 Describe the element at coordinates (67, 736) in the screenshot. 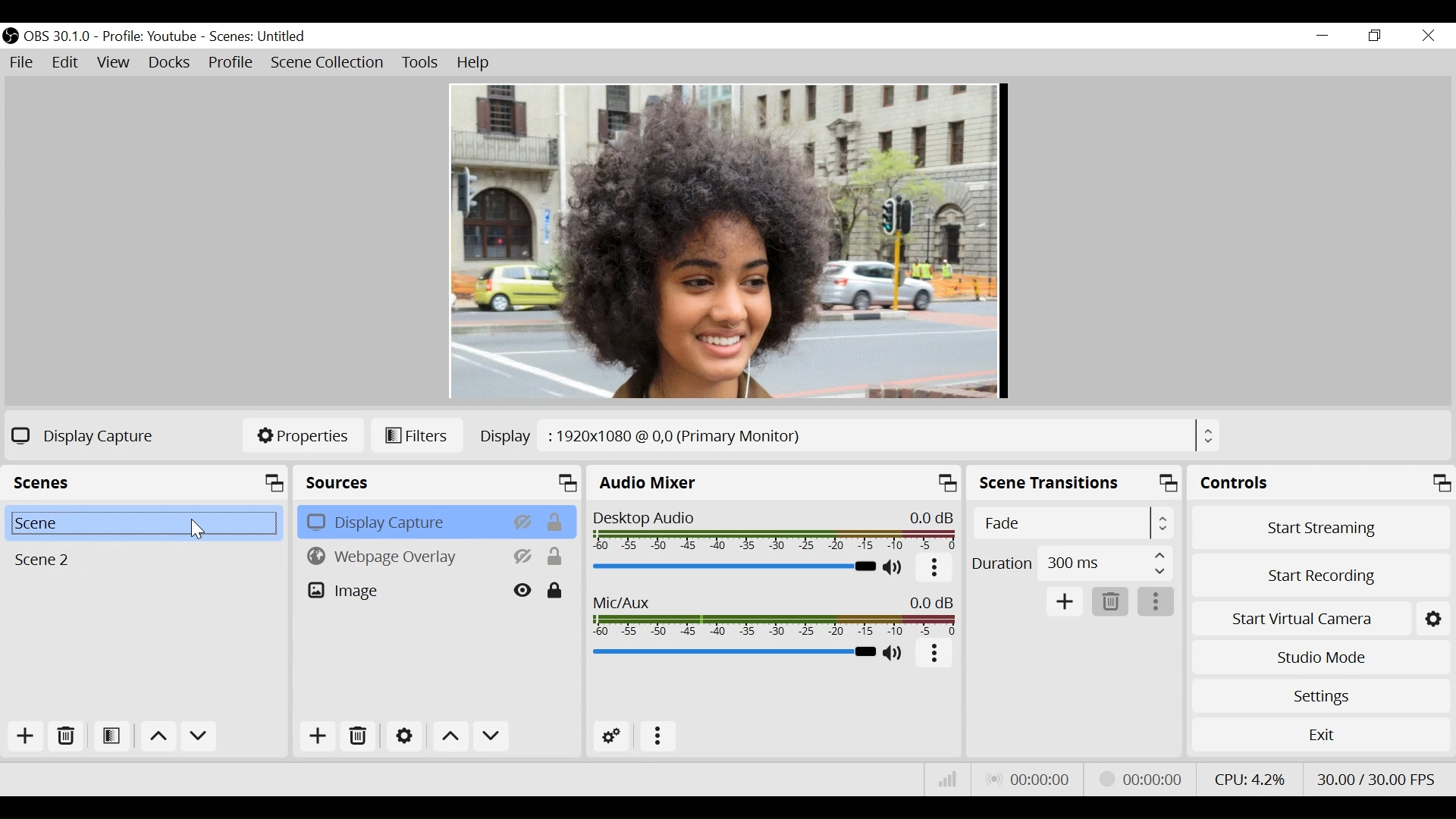

I see `Delete` at that location.